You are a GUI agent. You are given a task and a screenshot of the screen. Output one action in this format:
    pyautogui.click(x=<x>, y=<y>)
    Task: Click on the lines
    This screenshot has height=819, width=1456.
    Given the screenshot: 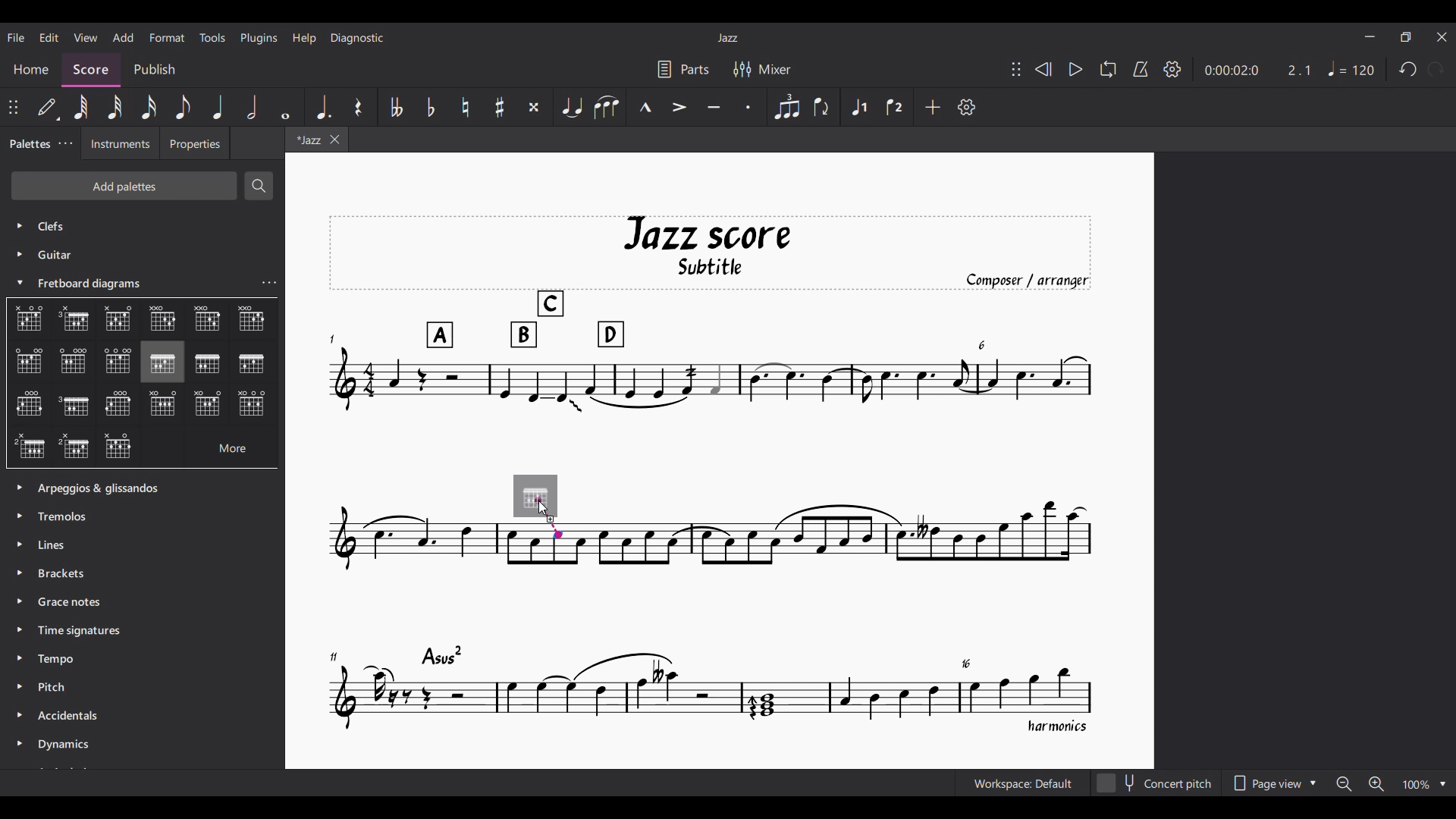 What is the action you would take?
    pyautogui.click(x=56, y=545)
    